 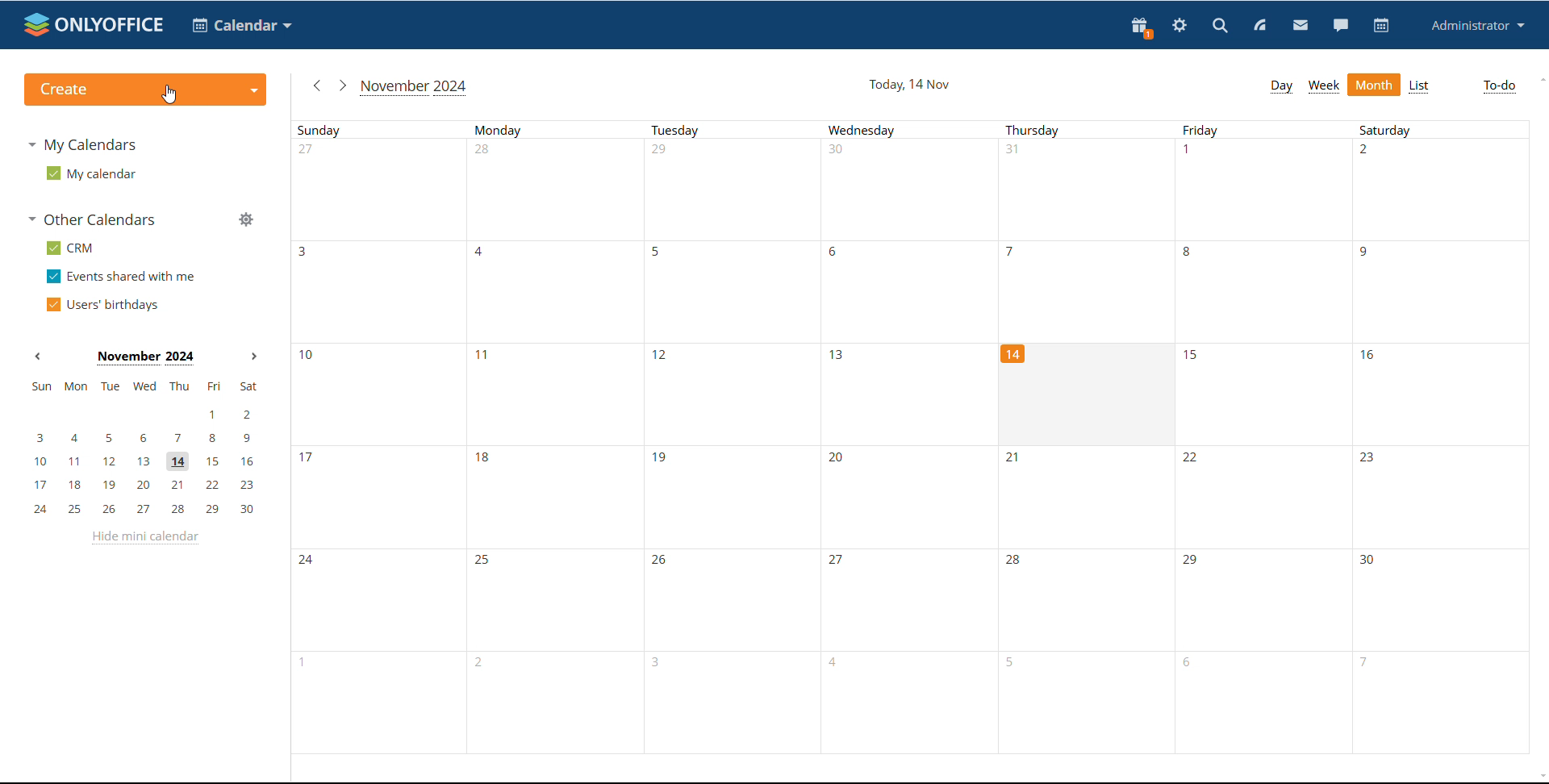 What do you see at coordinates (1179, 27) in the screenshot?
I see `settings` at bounding box center [1179, 27].